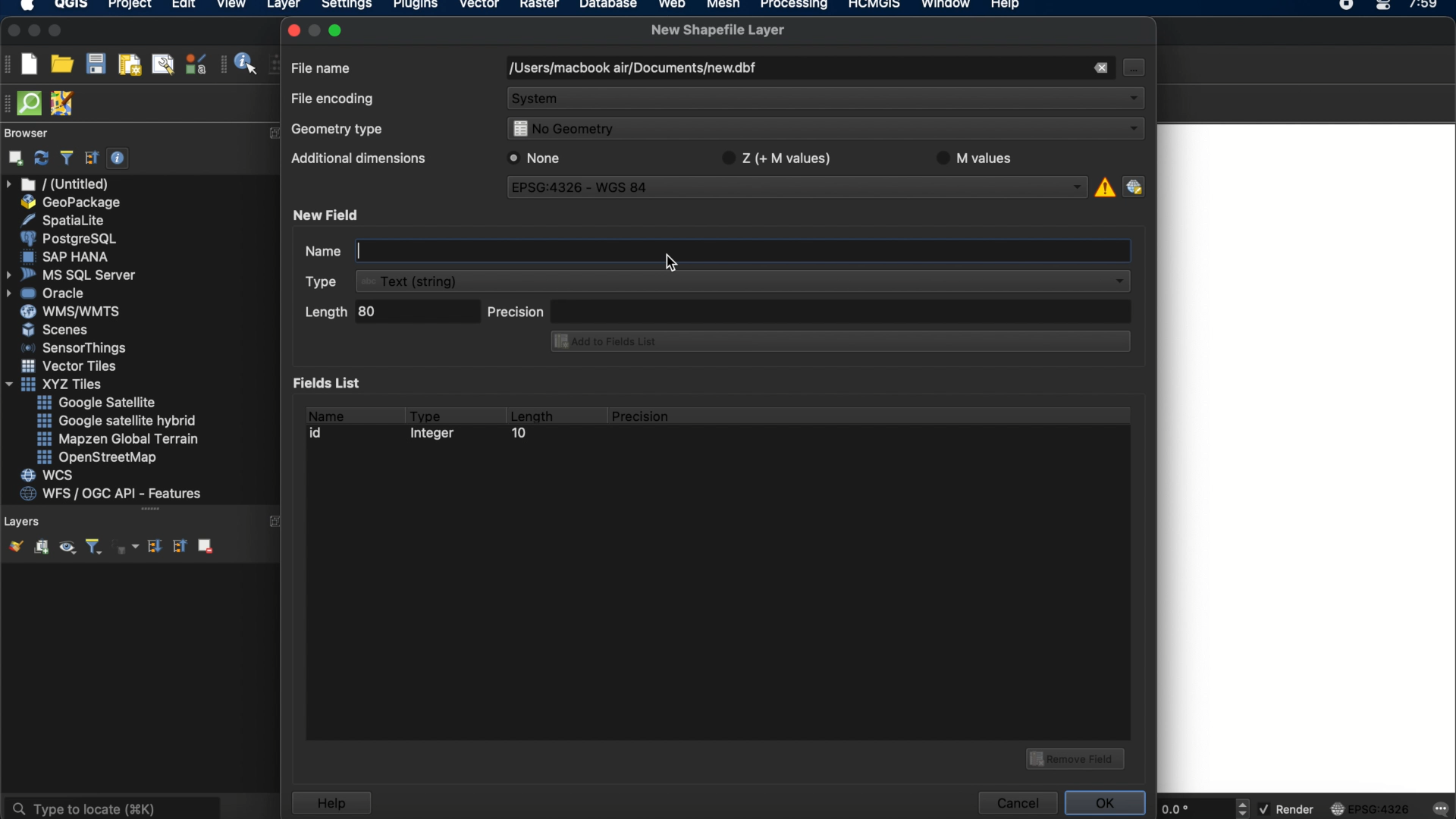  Describe the element at coordinates (128, 66) in the screenshot. I see `new paint layout` at that location.